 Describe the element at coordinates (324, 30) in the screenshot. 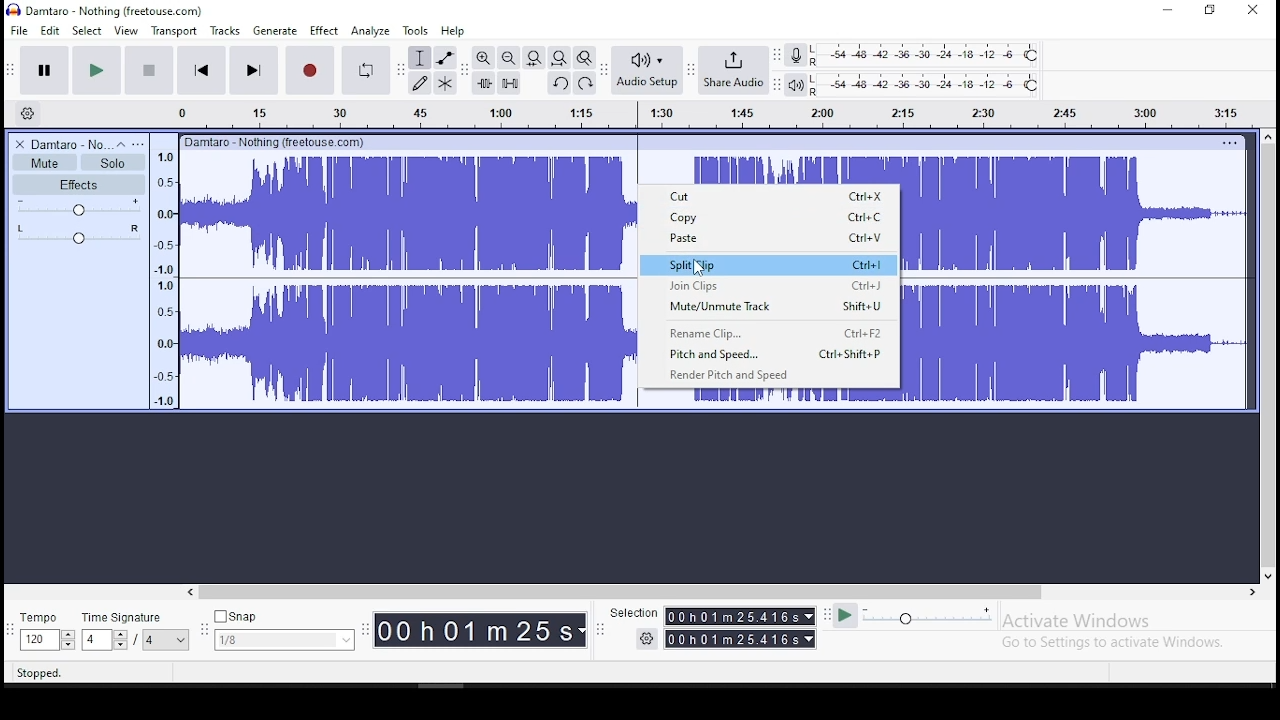

I see `effect` at that location.